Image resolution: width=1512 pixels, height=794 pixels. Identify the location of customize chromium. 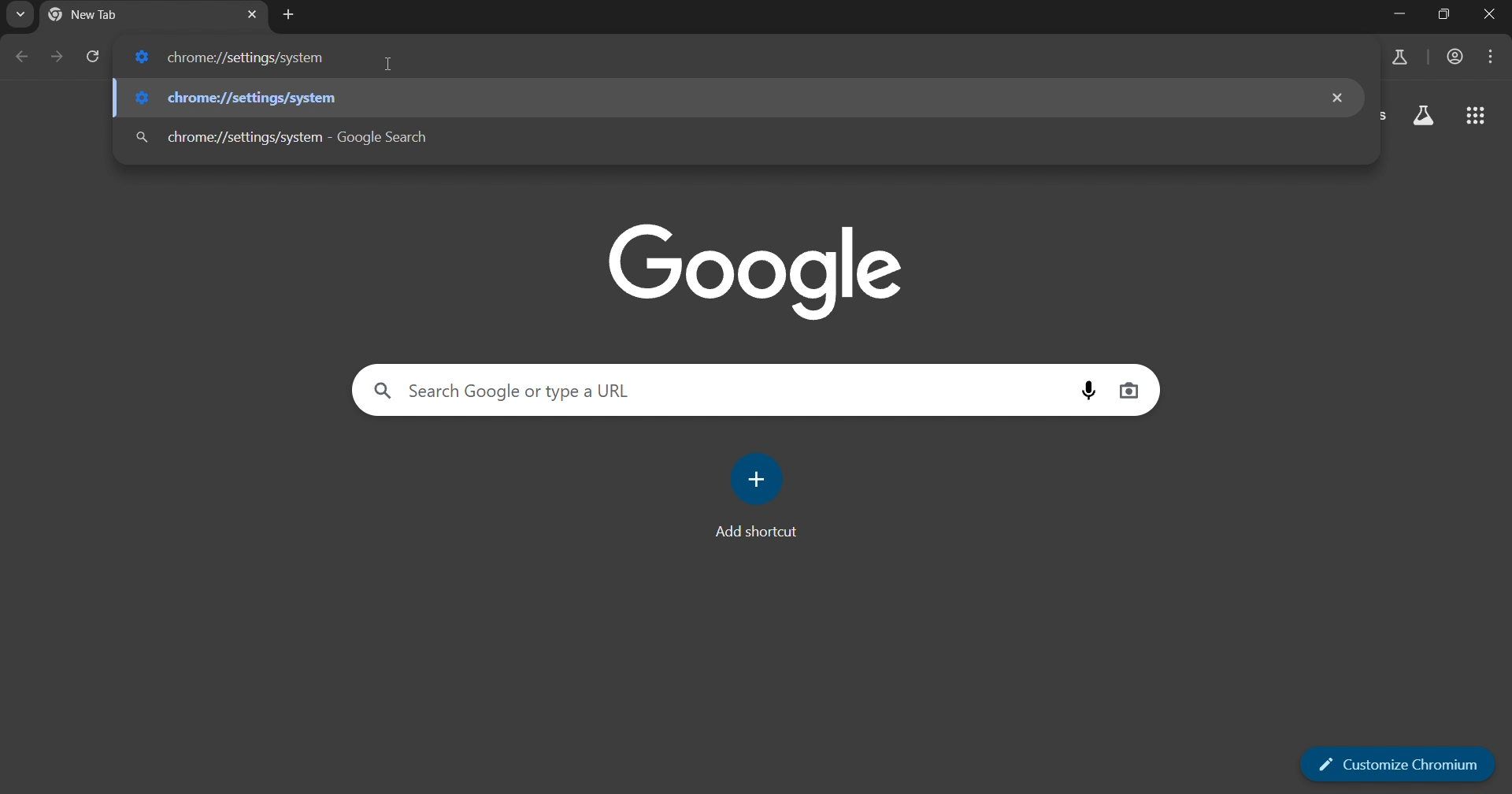
(1398, 765).